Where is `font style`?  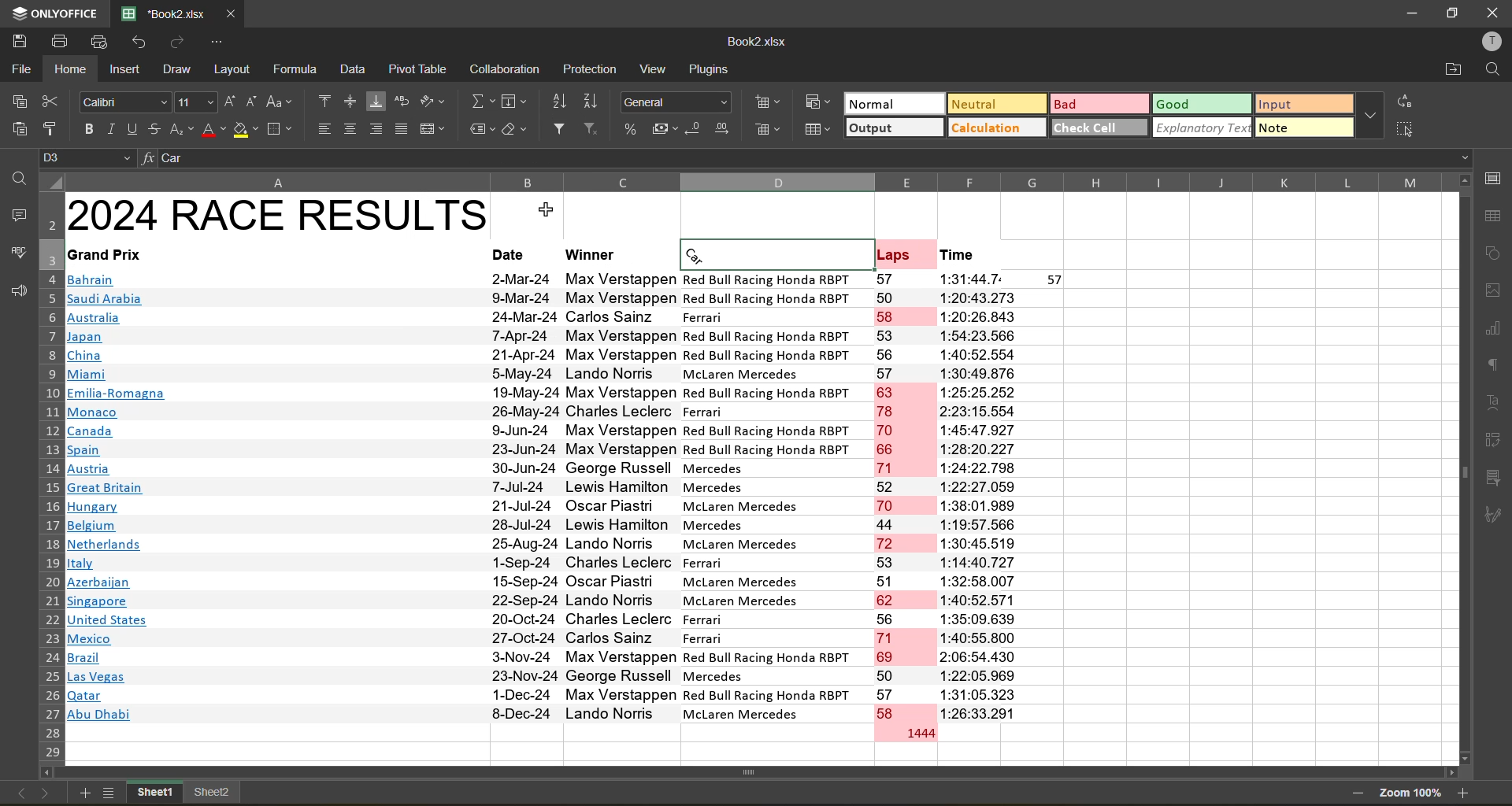
font style is located at coordinates (126, 102).